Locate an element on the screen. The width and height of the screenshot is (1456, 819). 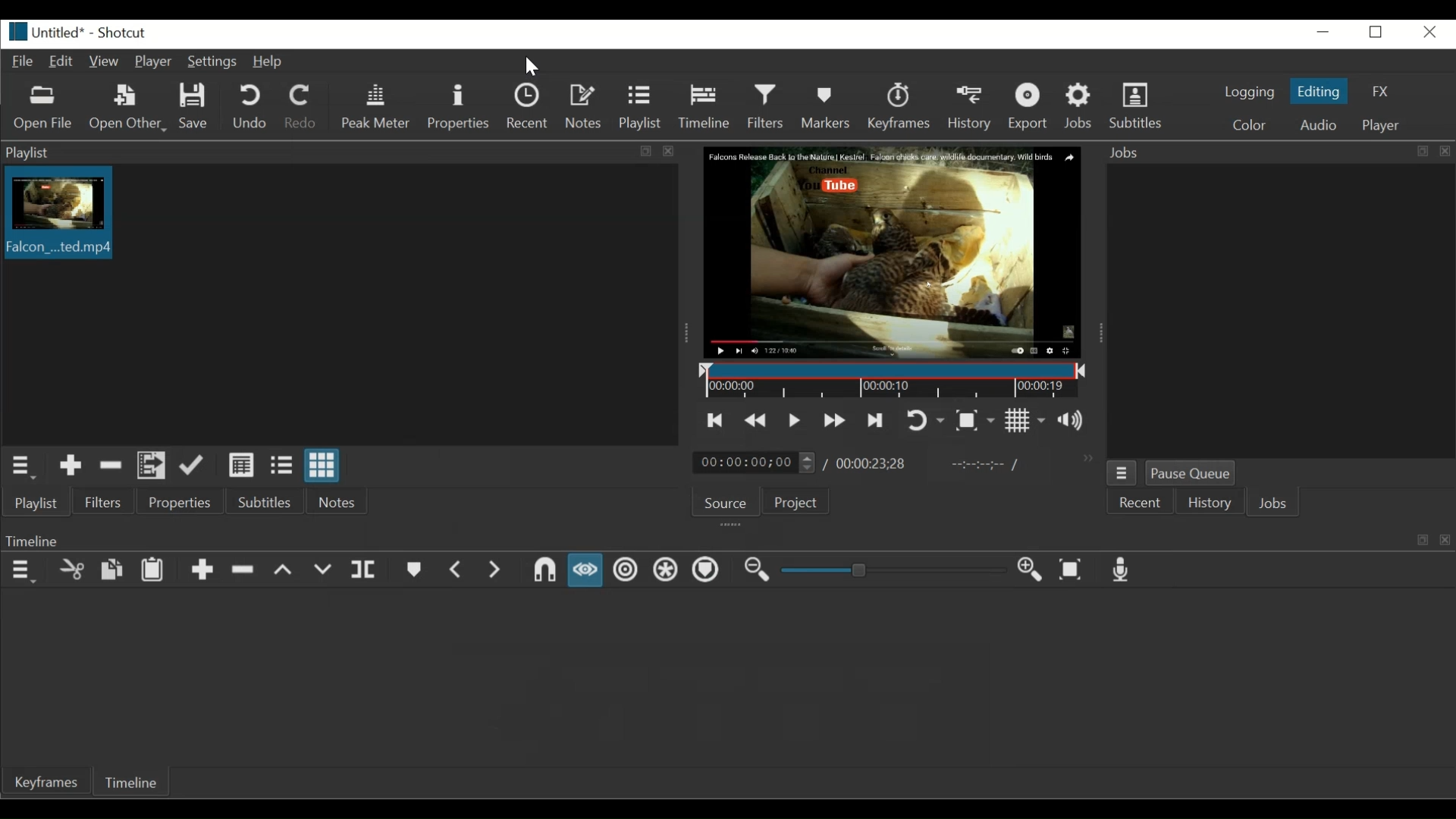
minimize is located at coordinates (1326, 33).